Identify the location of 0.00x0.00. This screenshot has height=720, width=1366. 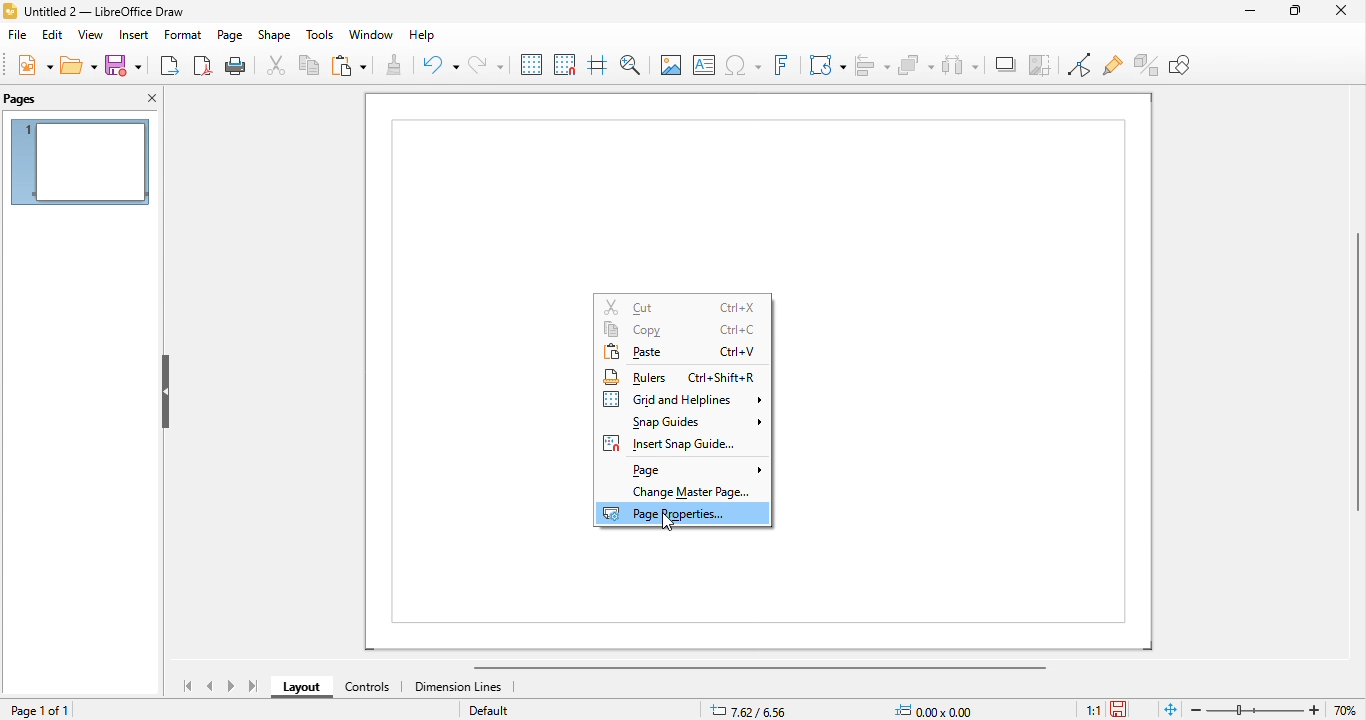
(940, 708).